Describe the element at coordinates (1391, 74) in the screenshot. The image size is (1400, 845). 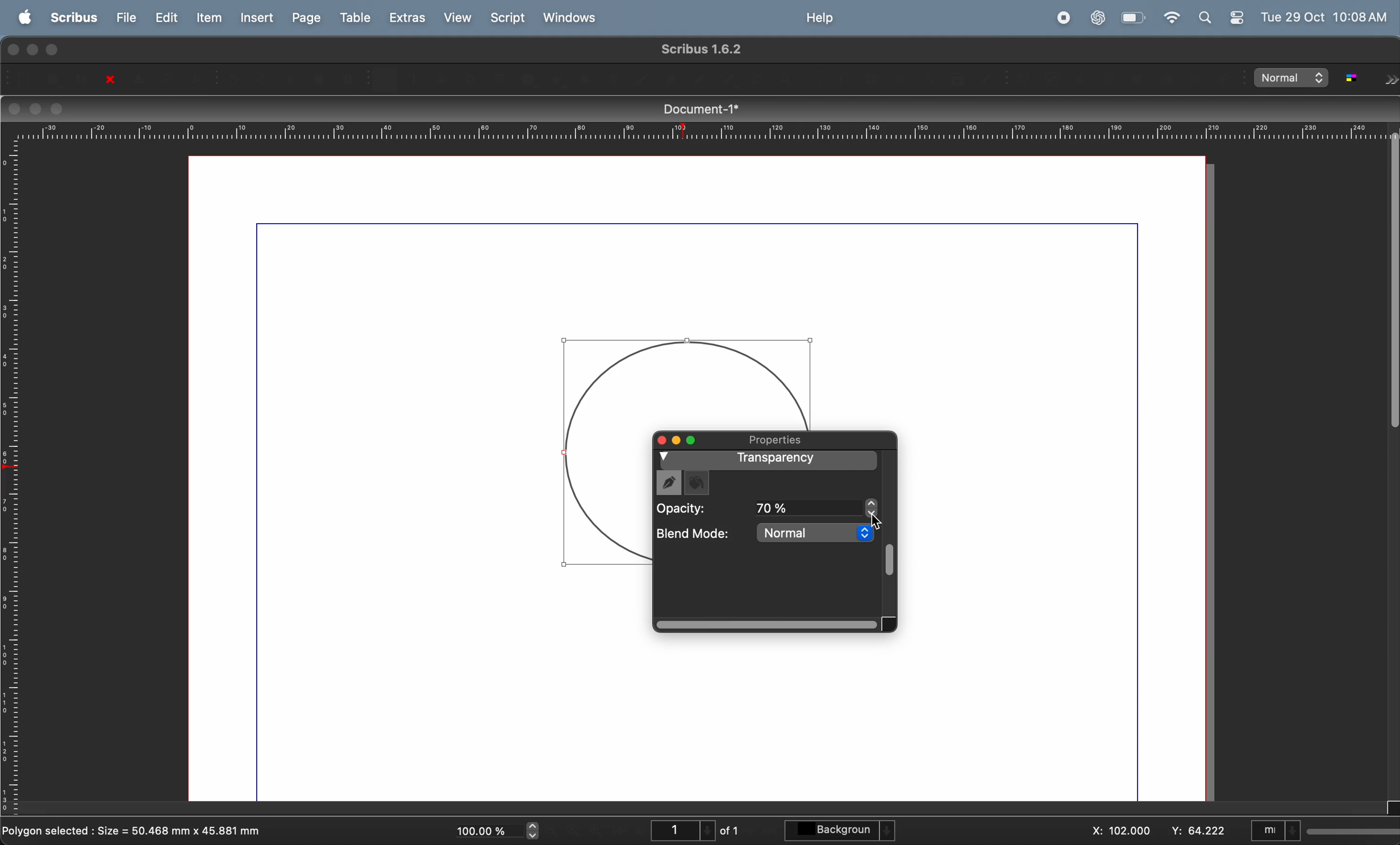
I see `Forward` at that location.